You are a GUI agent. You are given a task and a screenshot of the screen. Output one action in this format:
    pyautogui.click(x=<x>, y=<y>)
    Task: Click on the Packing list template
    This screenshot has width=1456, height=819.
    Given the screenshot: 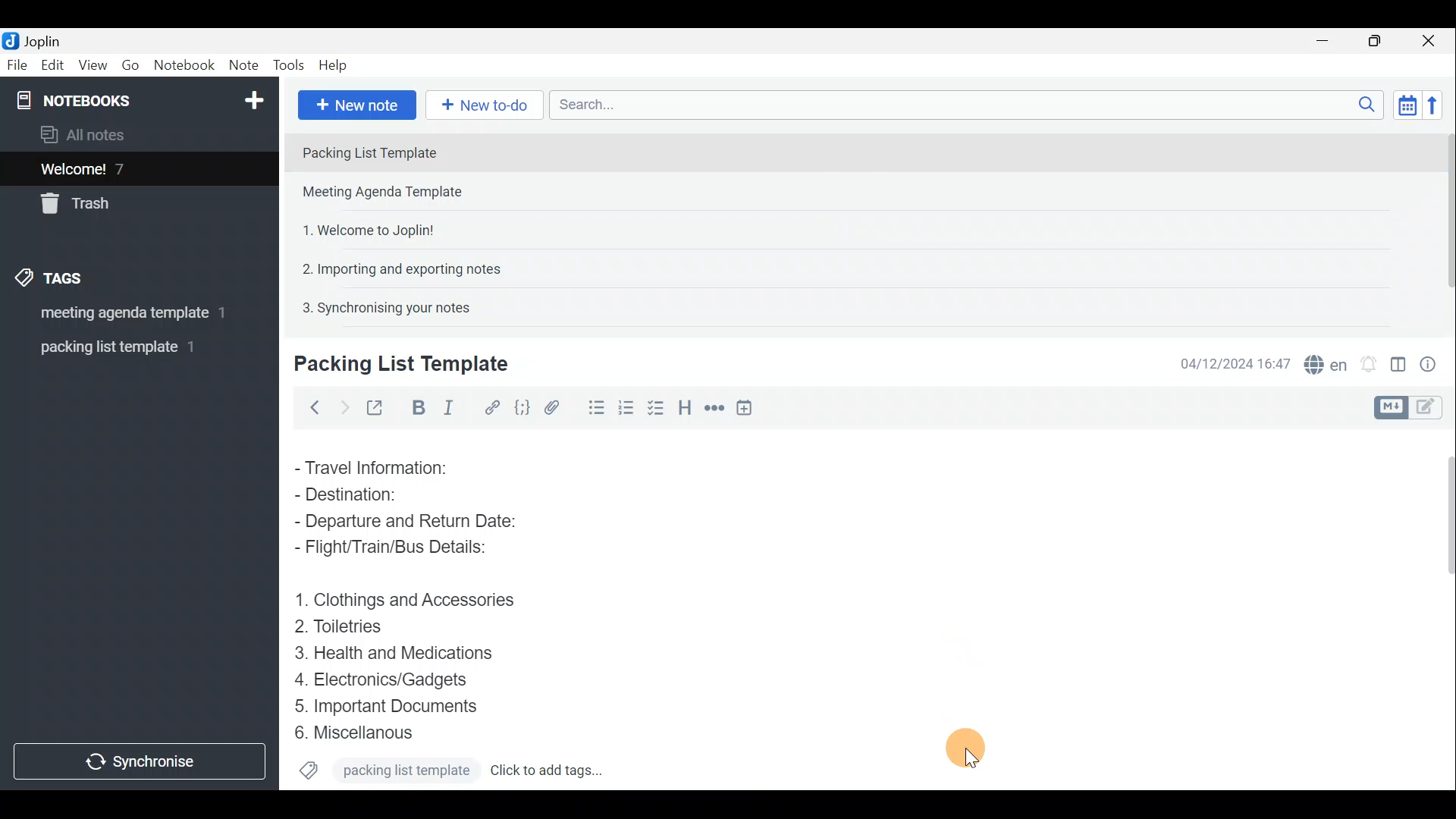 What is the action you would take?
    pyautogui.click(x=121, y=349)
    